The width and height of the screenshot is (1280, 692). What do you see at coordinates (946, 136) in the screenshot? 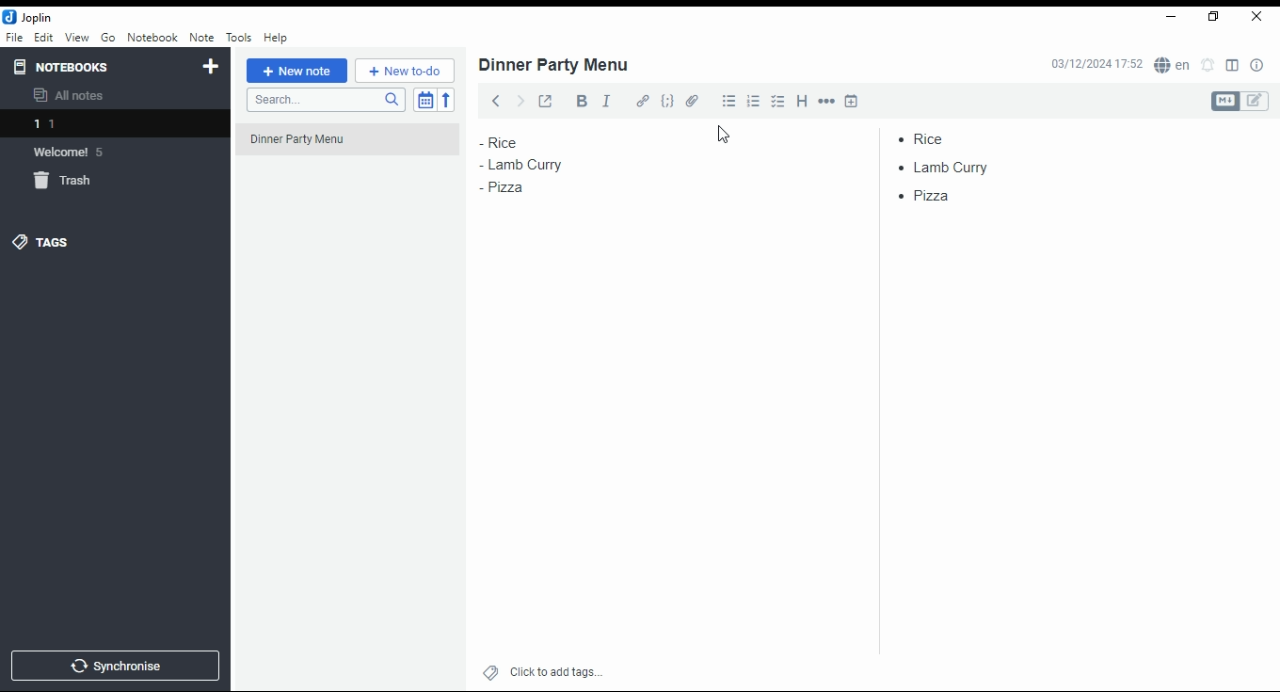
I see `rice` at bounding box center [946, 136].